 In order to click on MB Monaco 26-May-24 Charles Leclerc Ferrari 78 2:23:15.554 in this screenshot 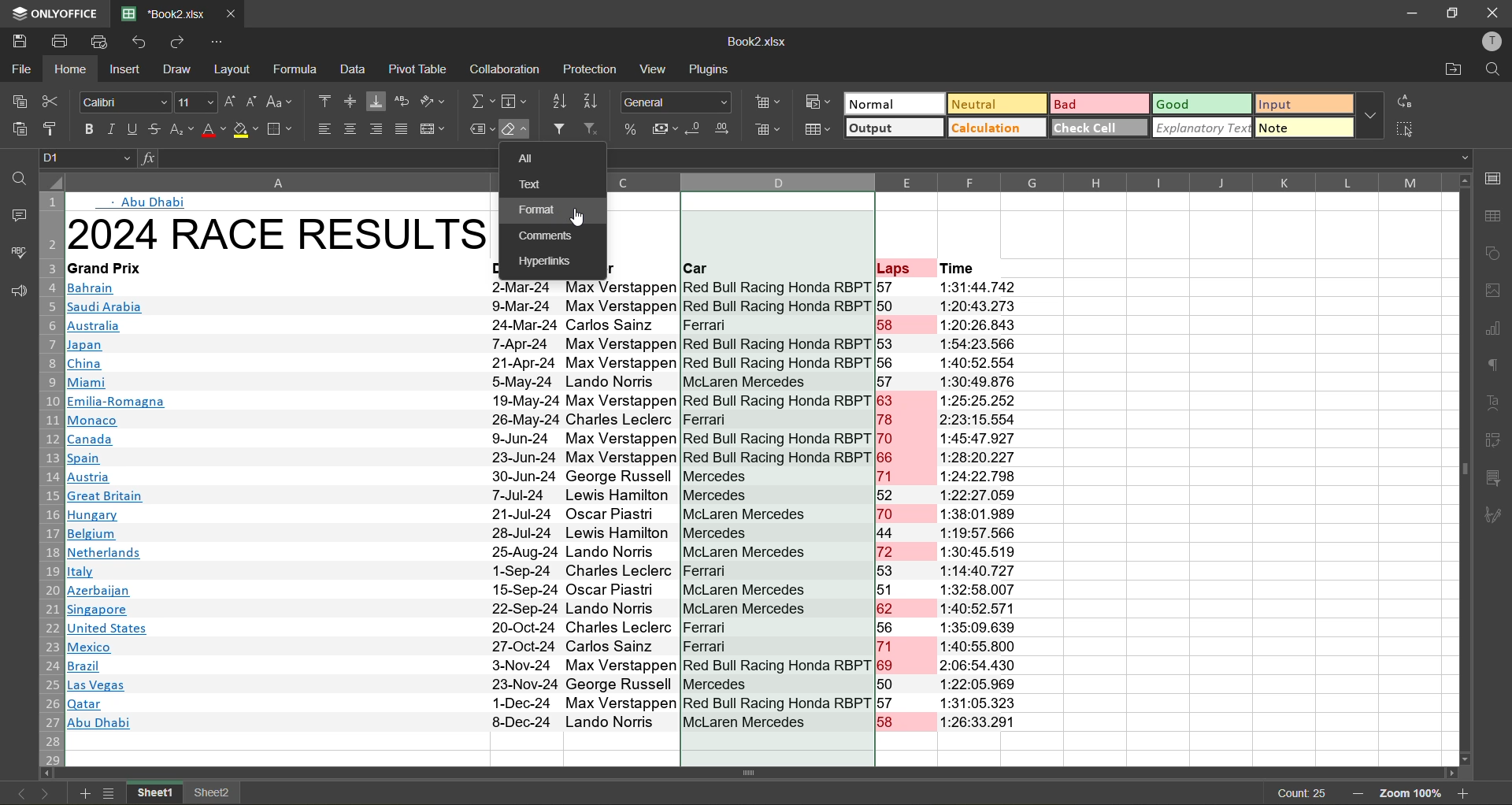, I will do `click(552, 421)`.